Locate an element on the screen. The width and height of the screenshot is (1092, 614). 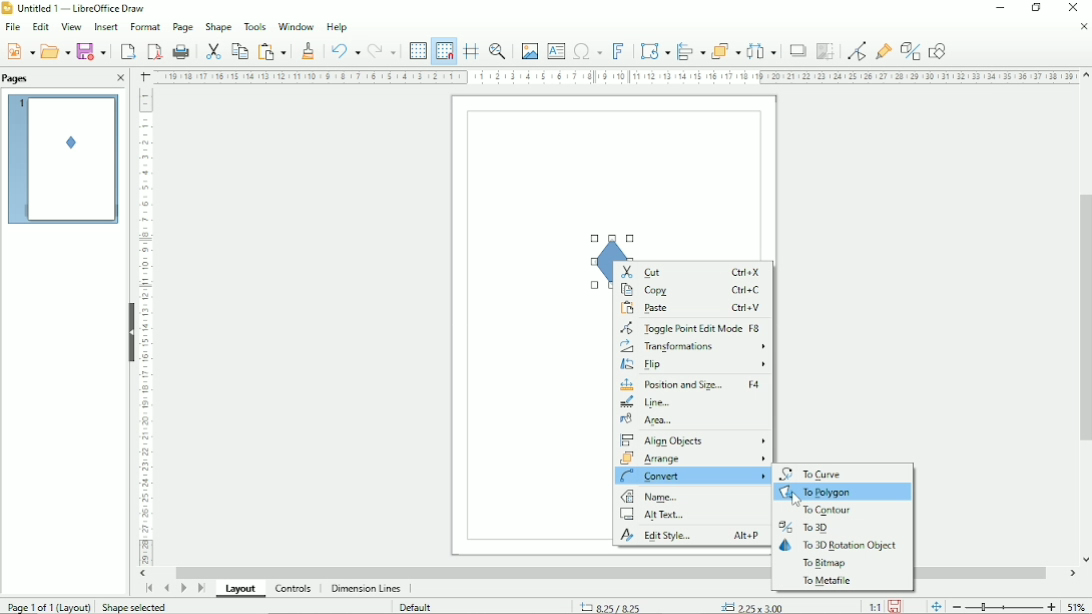
Area is located at coordinates (654, 420).